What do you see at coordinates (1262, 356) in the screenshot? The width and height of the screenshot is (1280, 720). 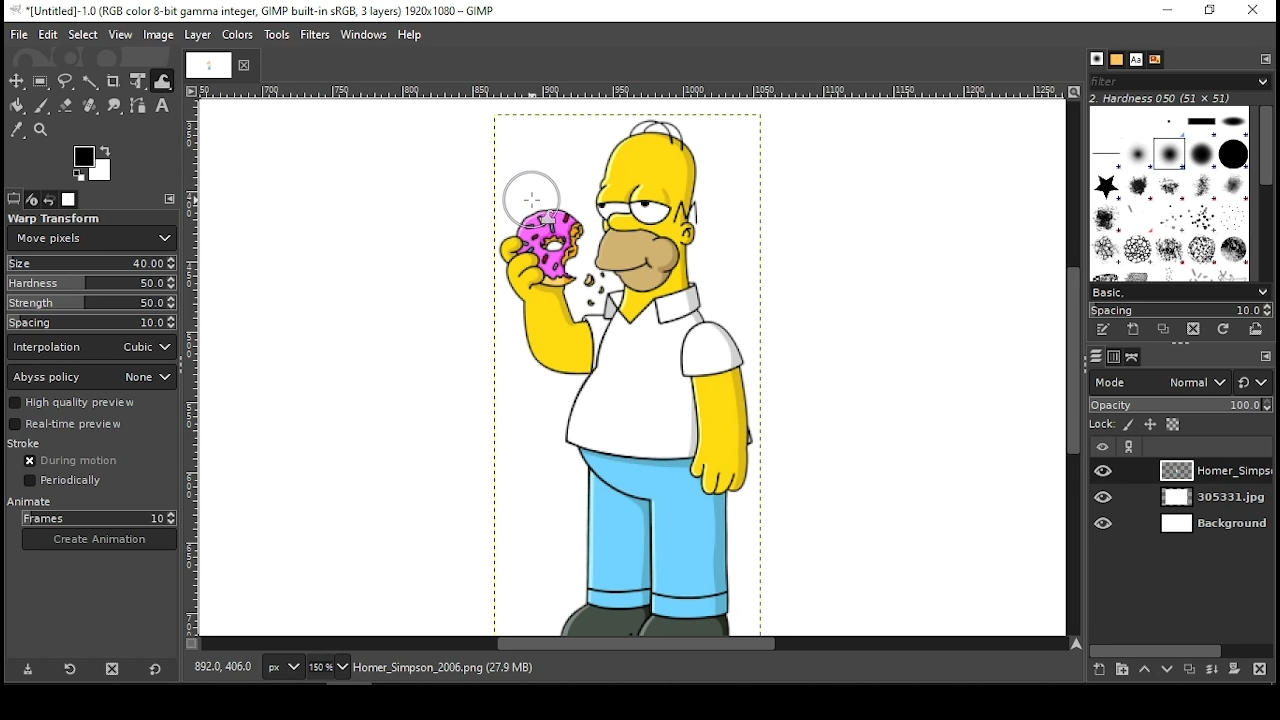 I see `edit toolbar` at bounding box center [1262, 356].